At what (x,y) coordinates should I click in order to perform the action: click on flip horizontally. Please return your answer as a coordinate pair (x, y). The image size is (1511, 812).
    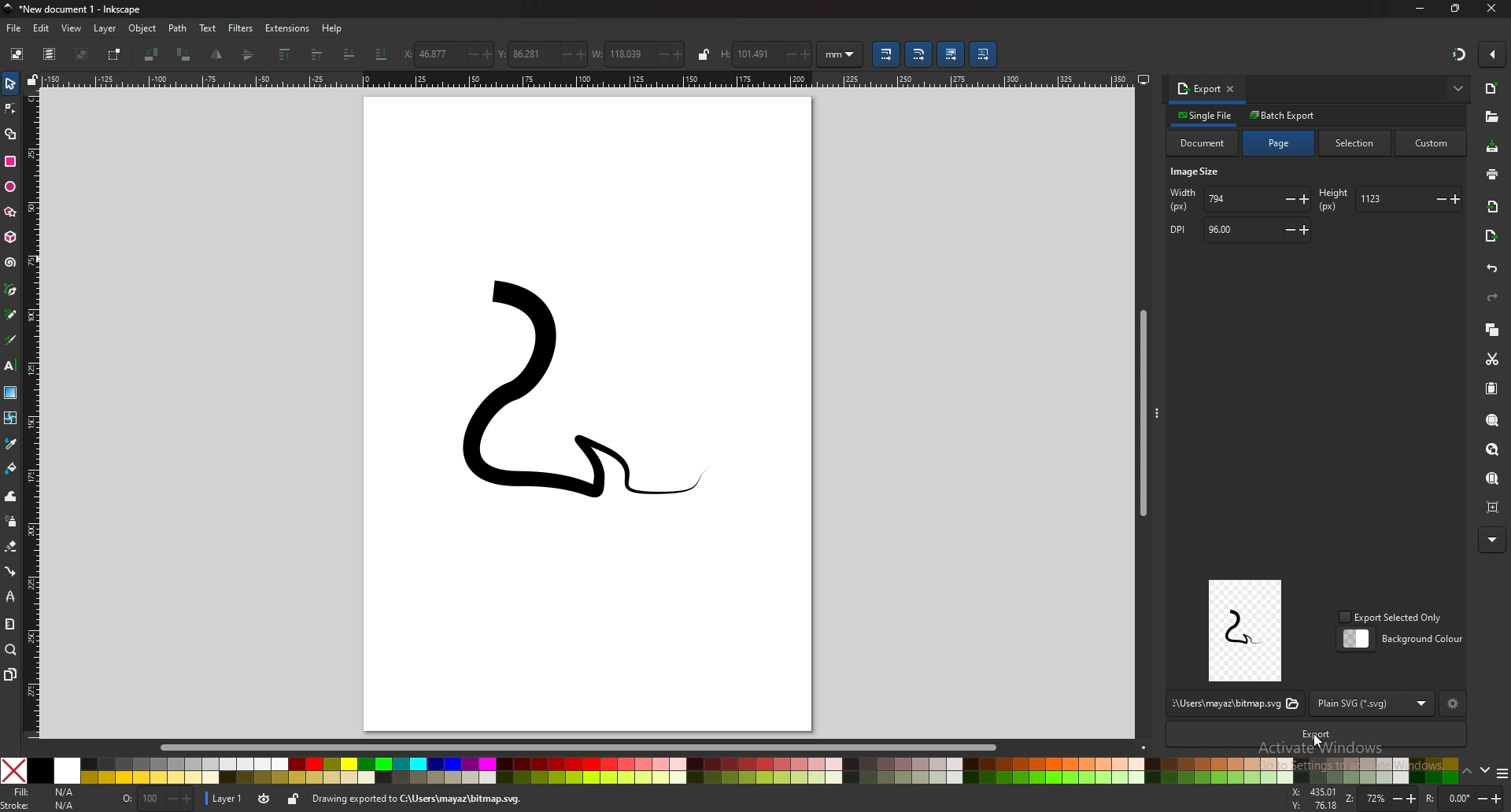
    Looking at the image, I should click on (249, 54).